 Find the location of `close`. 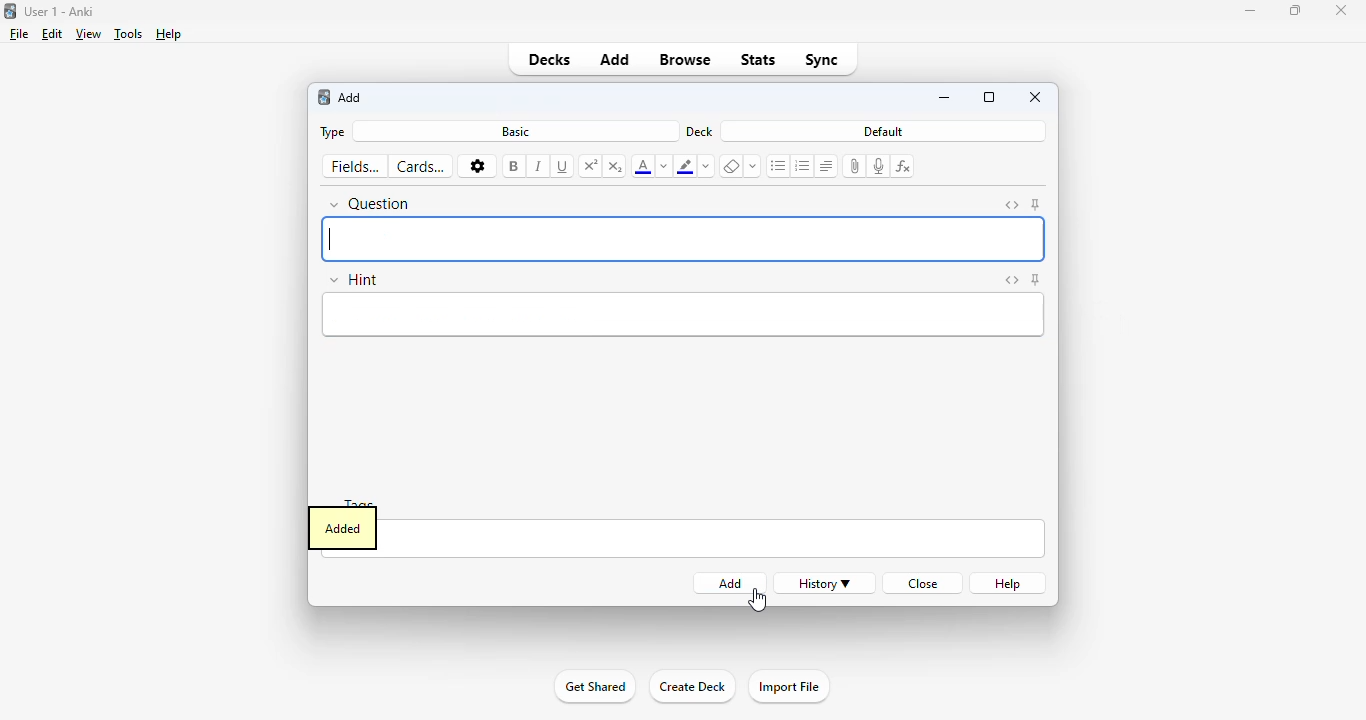

close is located at coordinates (1036, 97).